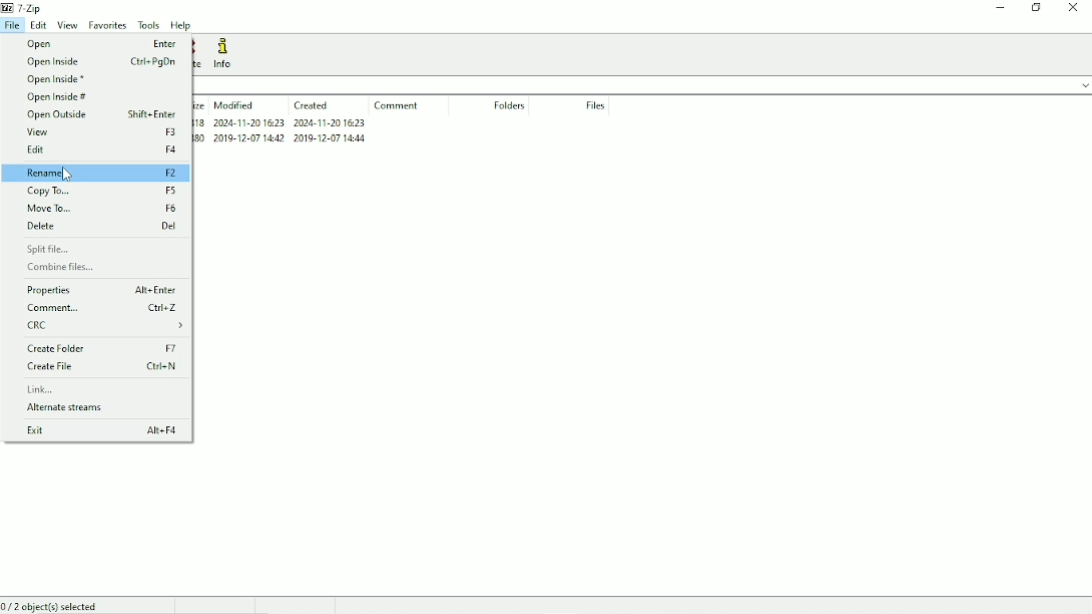 Image resolution: width=1092 pixels, height=614 pixels. What do you see at coordinates (50, 249) in the screenshot?
I see `Split file` at bounding box center [50, 249].